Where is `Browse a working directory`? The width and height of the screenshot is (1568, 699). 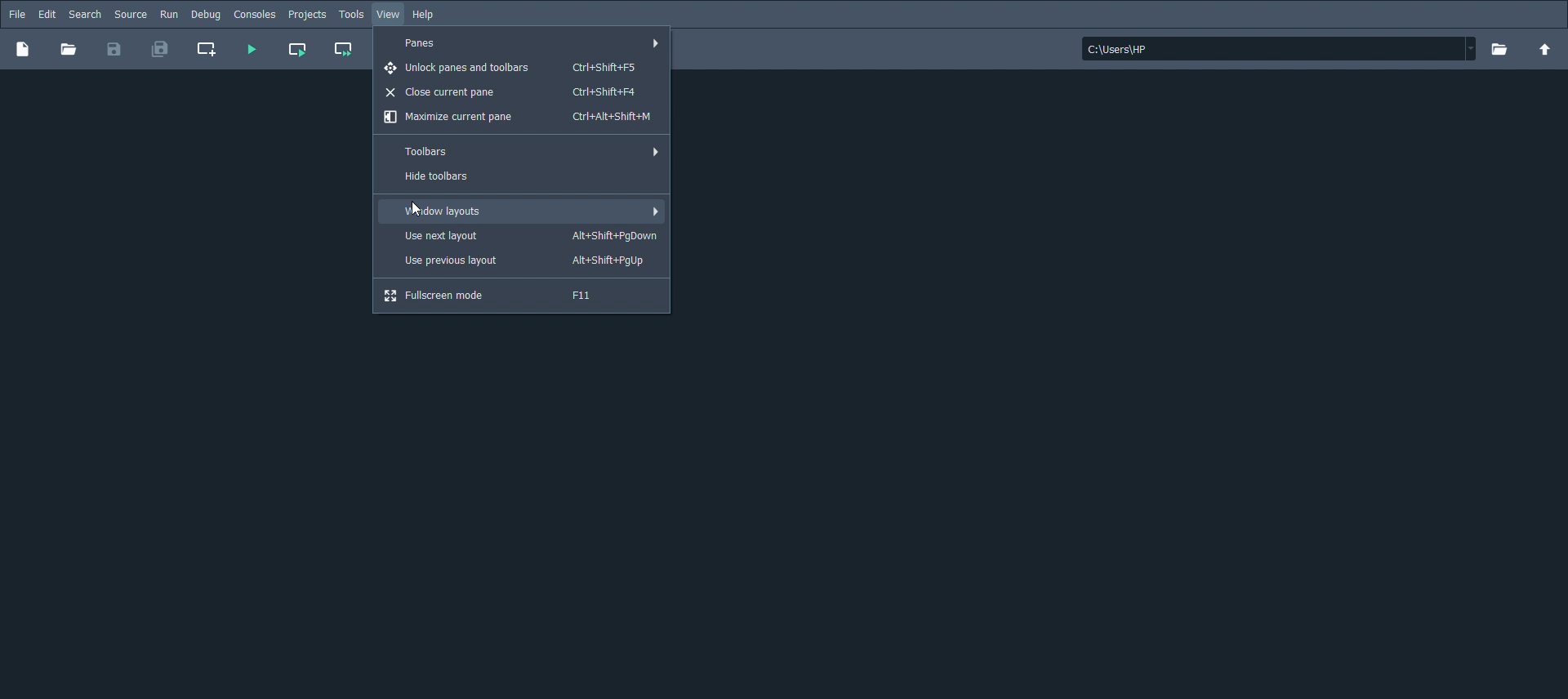
Browse a working directory is located at coordinates (1502, 50).